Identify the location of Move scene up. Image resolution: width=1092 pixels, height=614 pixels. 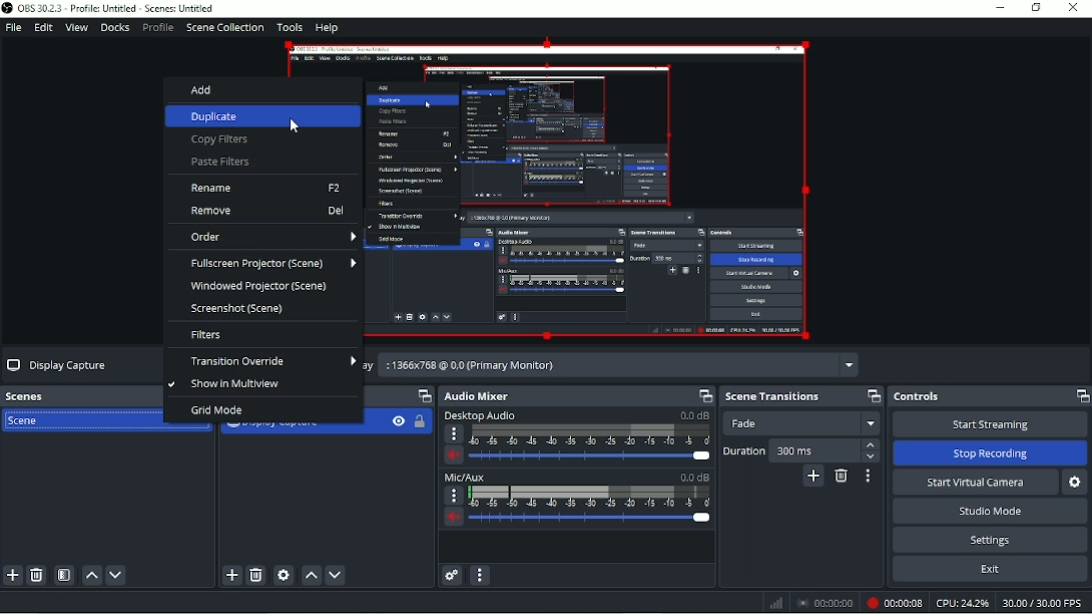
(92, 576).